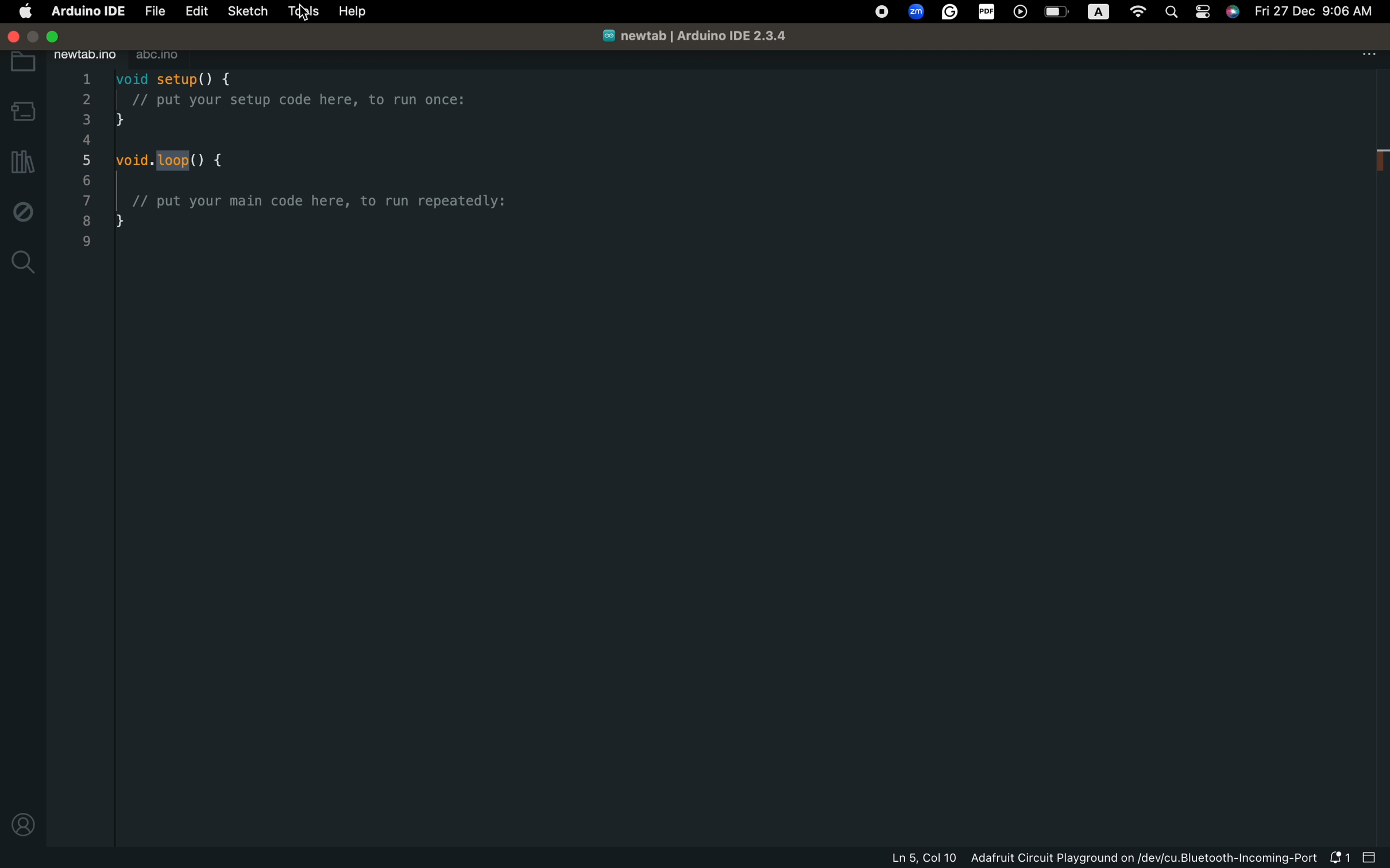 The width and height of the screenshot is (1390, 868). Describe the element at coordinates (23, 63) in the screenshot. I see `folder` at that location.